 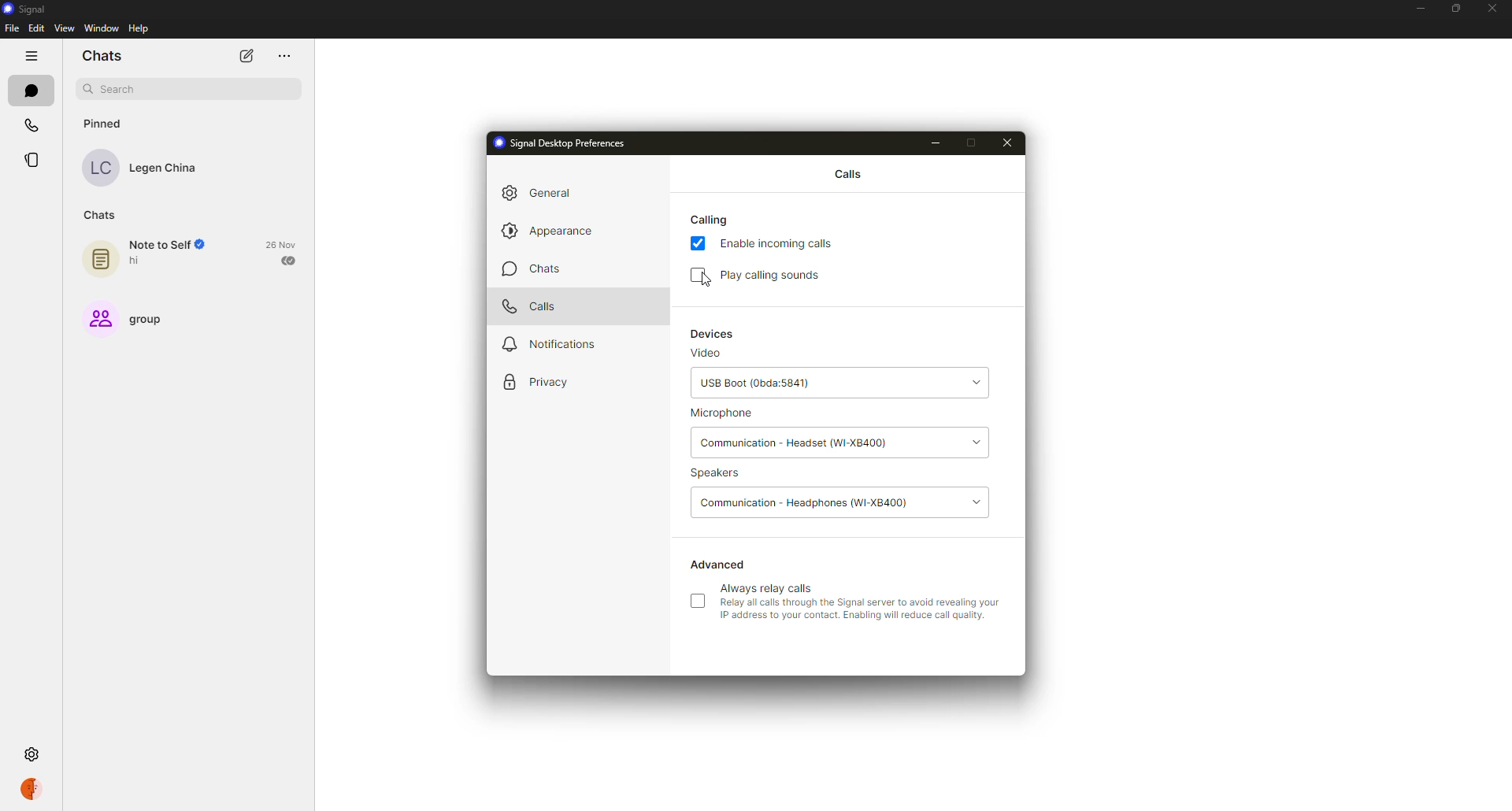 What do you see at coordinates (529, 306) in the screenshot?
I see `calls` at bounding box center [529, 306].